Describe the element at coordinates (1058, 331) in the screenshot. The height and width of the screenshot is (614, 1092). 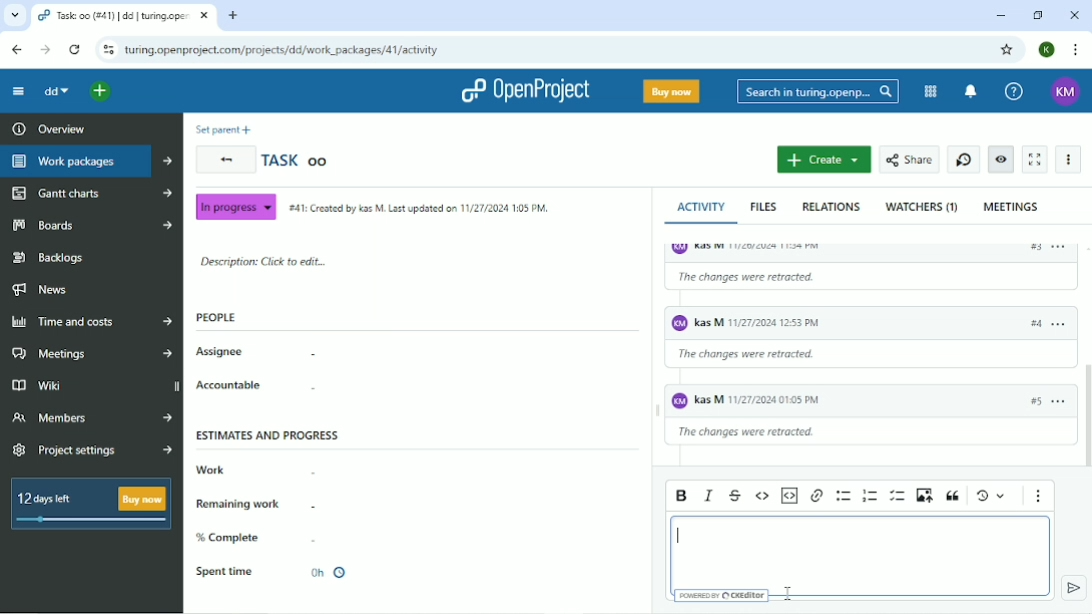
I see `options` at that location.